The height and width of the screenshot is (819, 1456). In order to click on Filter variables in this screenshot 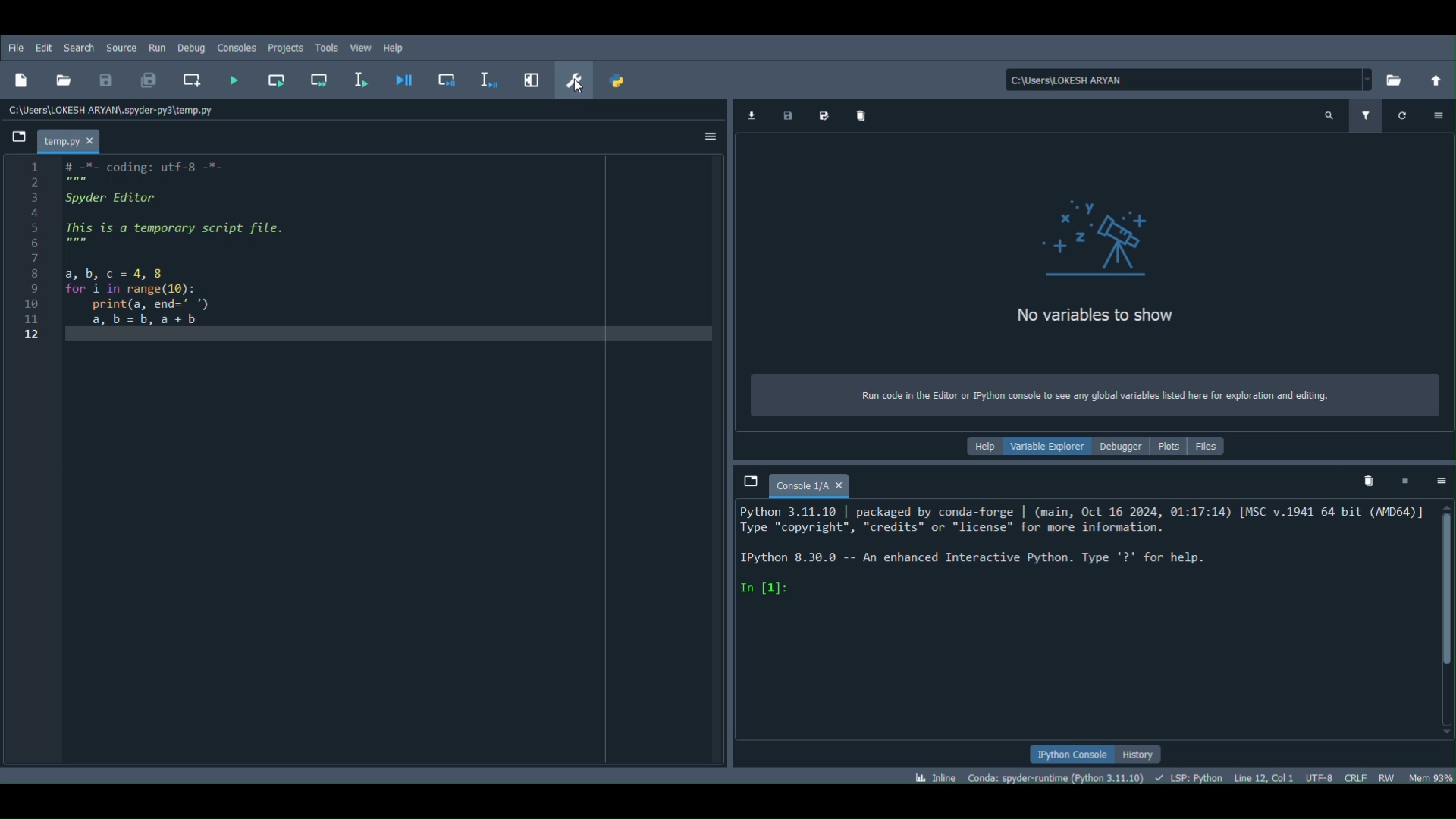, I will do `click(1371, 117)`.